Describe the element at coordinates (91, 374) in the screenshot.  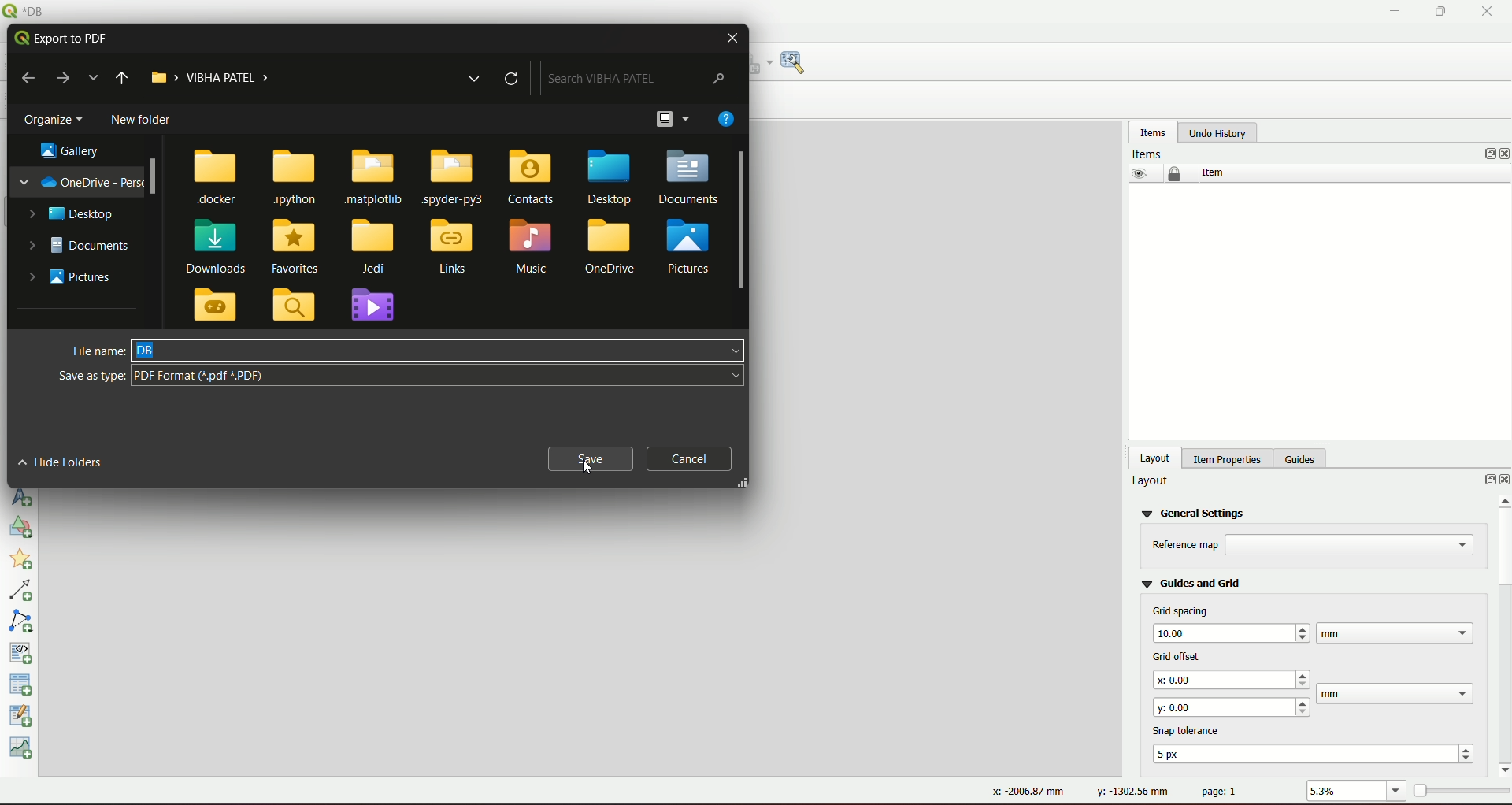
I see `type` at that location.